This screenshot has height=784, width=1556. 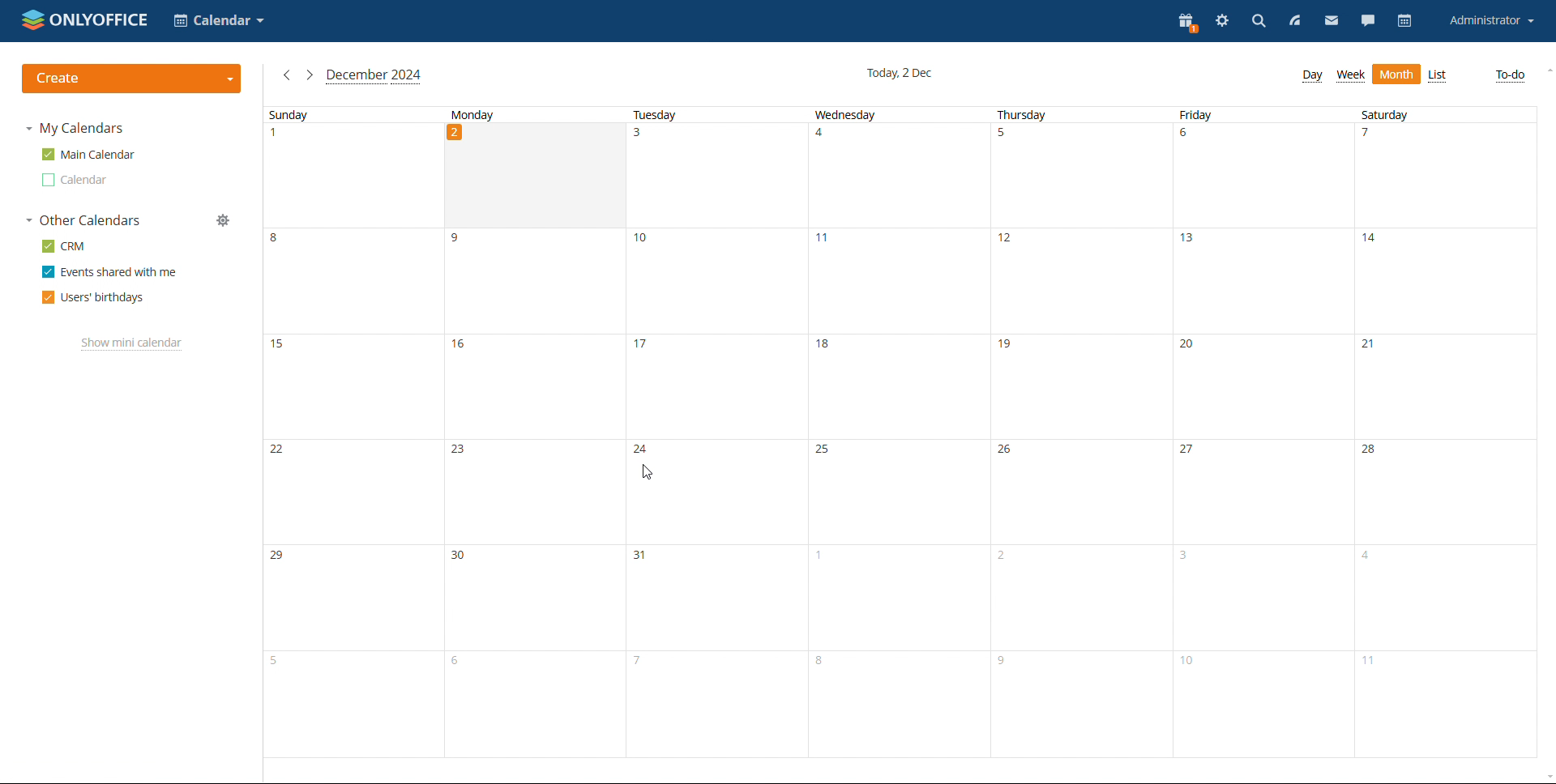 What do you see at coordinates (1374, 667) in the screenshot?
I see `11` at bounding box center [1374, 667].